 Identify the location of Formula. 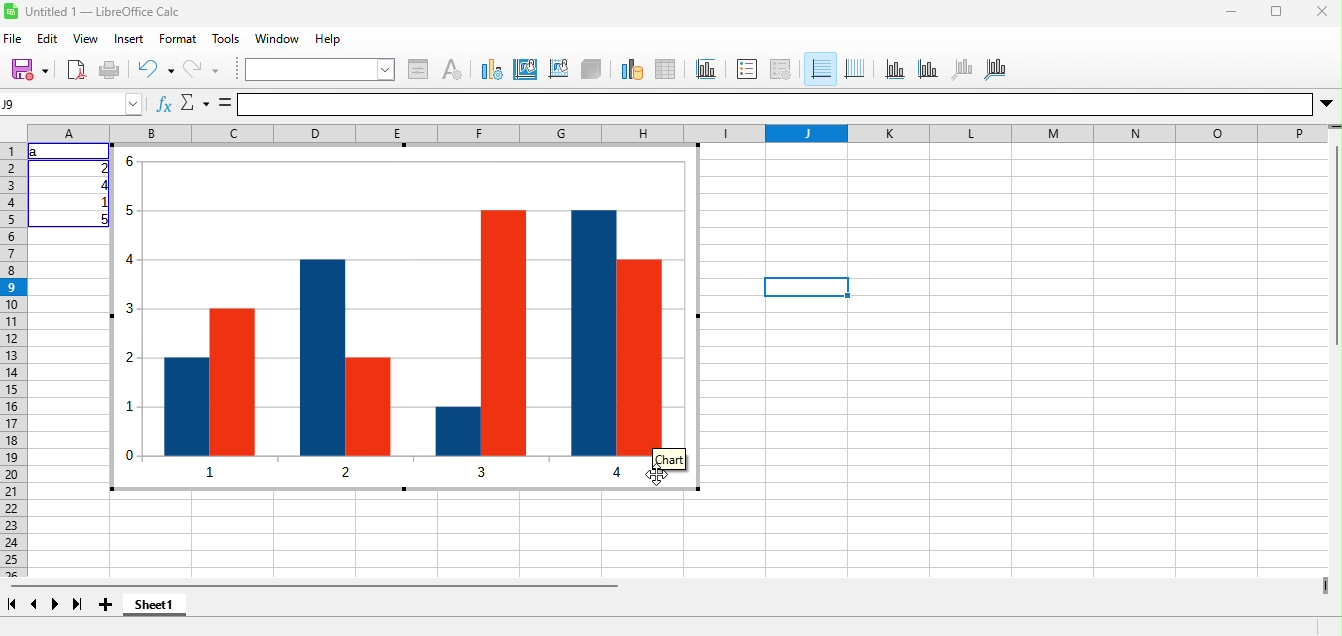
(225, 103).